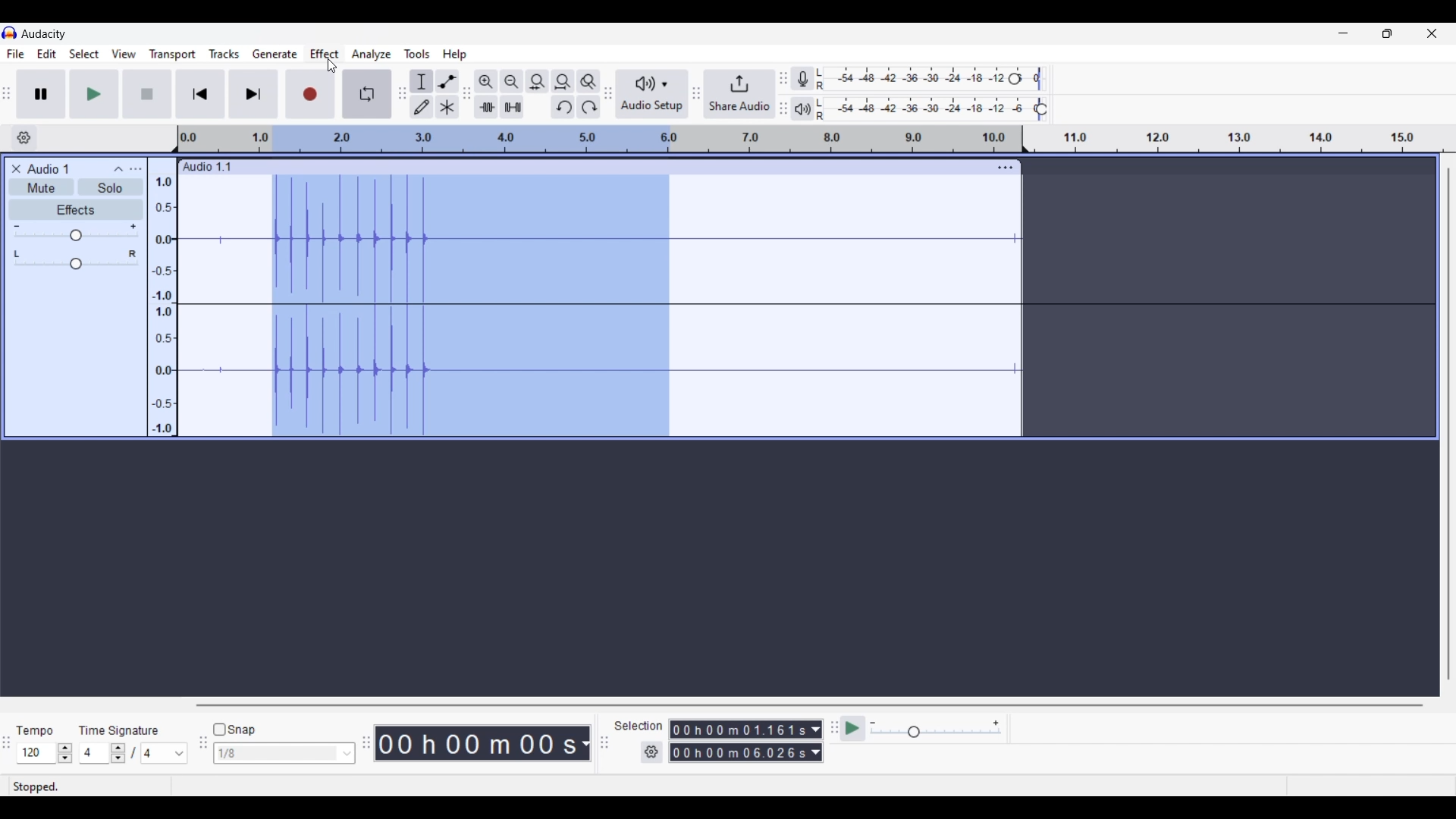  What do you see at coordinates (76, 235) in the screenshot?
I see `Gain` at bounding box center [76, 235].